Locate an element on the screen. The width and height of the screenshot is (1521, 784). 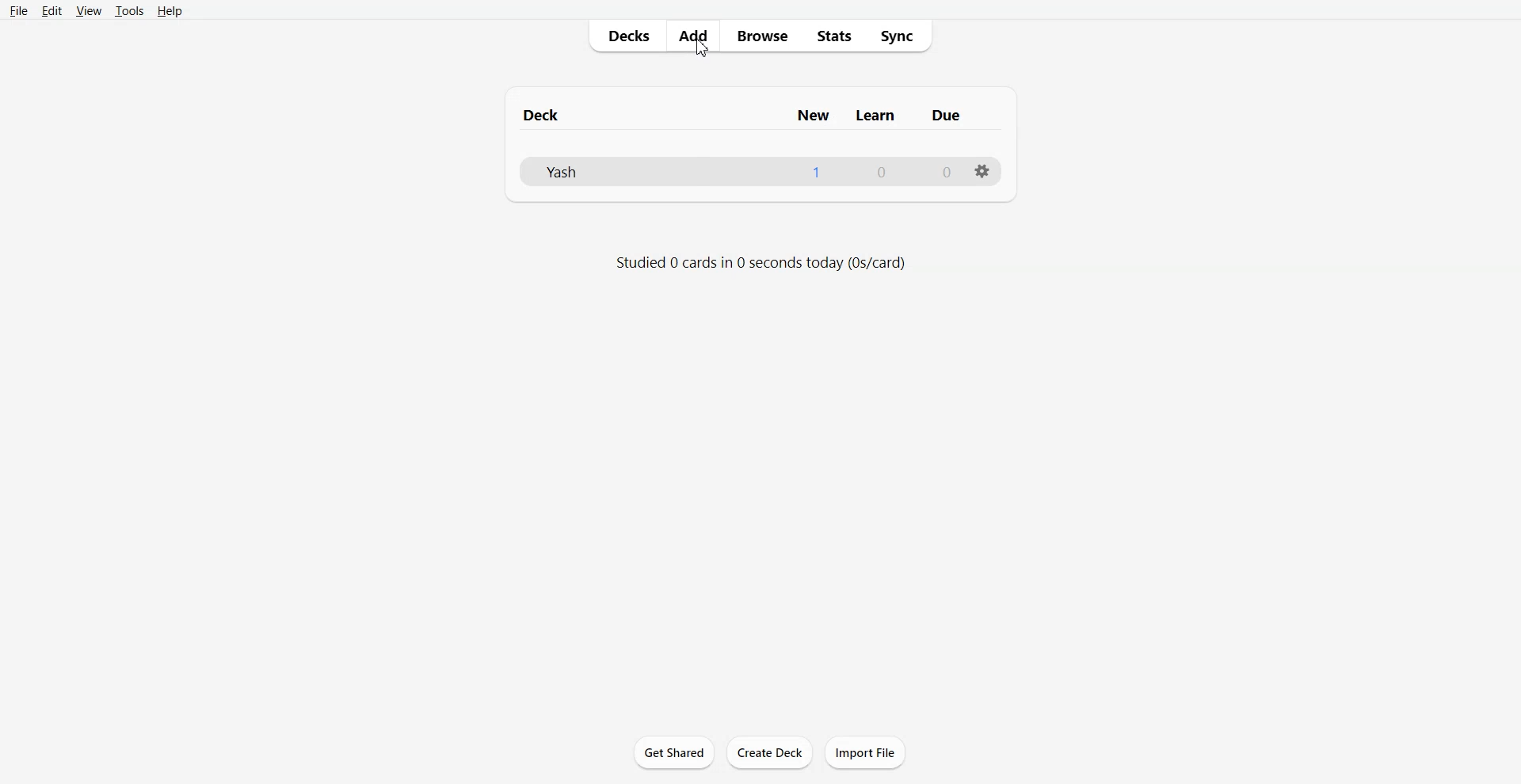
Stats is located at coordinates (838, 36).